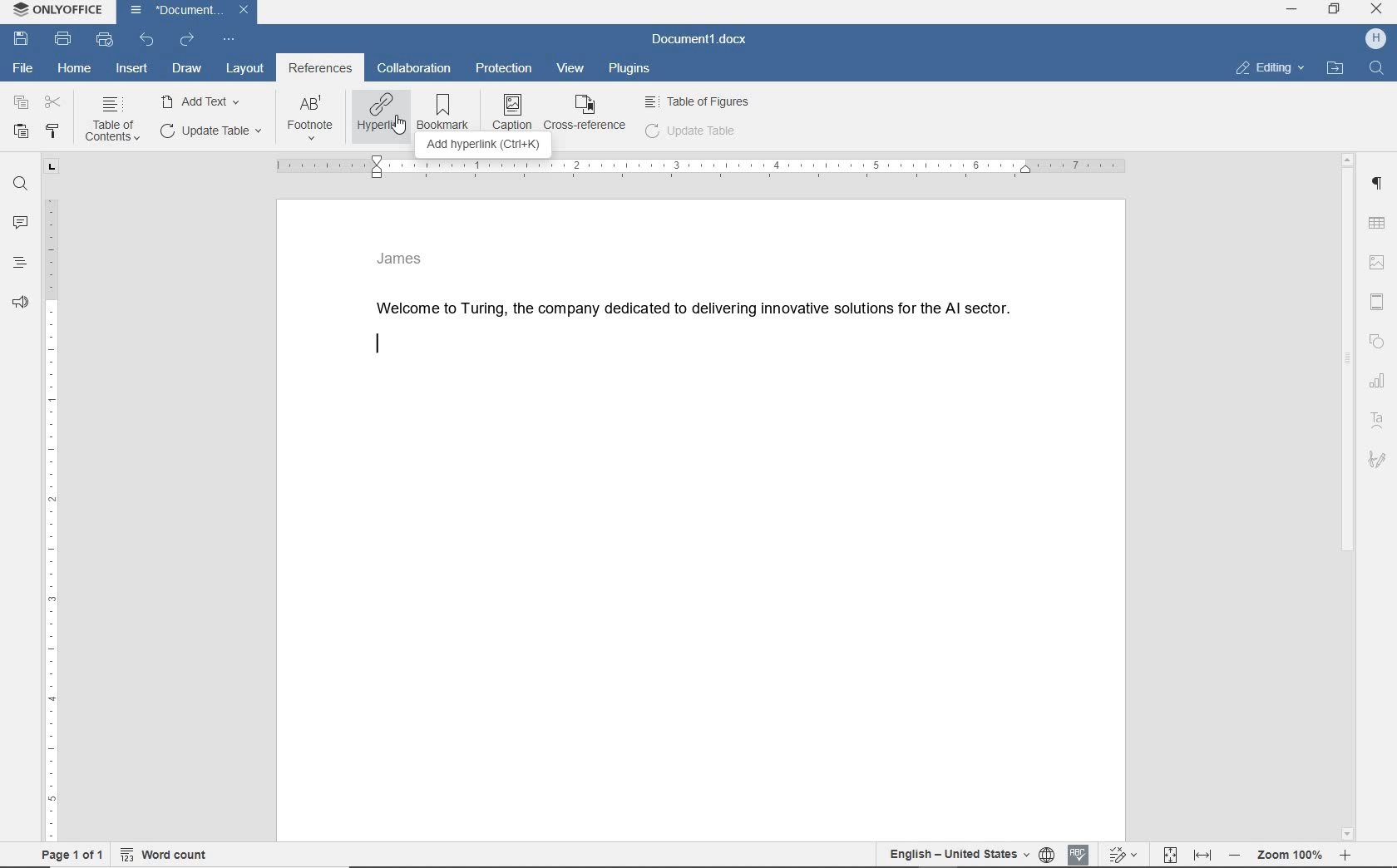 The width and height of the screenshot is (1397, 868). What do you see at coordinates (513, 112) in the screenshot?
I see `CAPTION` at bounding box center [513, 112].